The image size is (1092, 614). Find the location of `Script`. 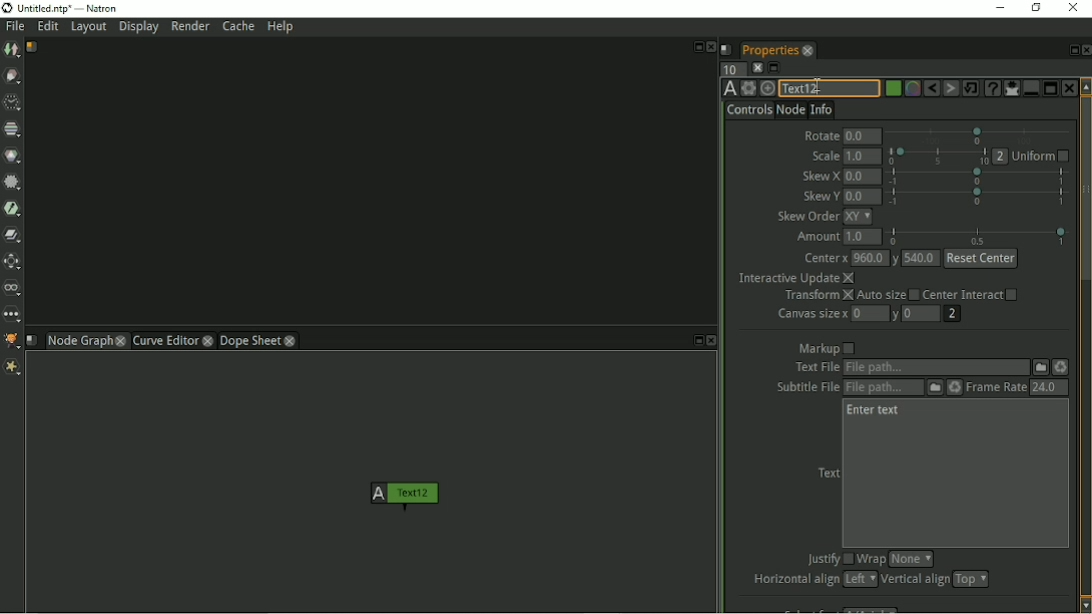

Script is located at coordinates (727, 49).